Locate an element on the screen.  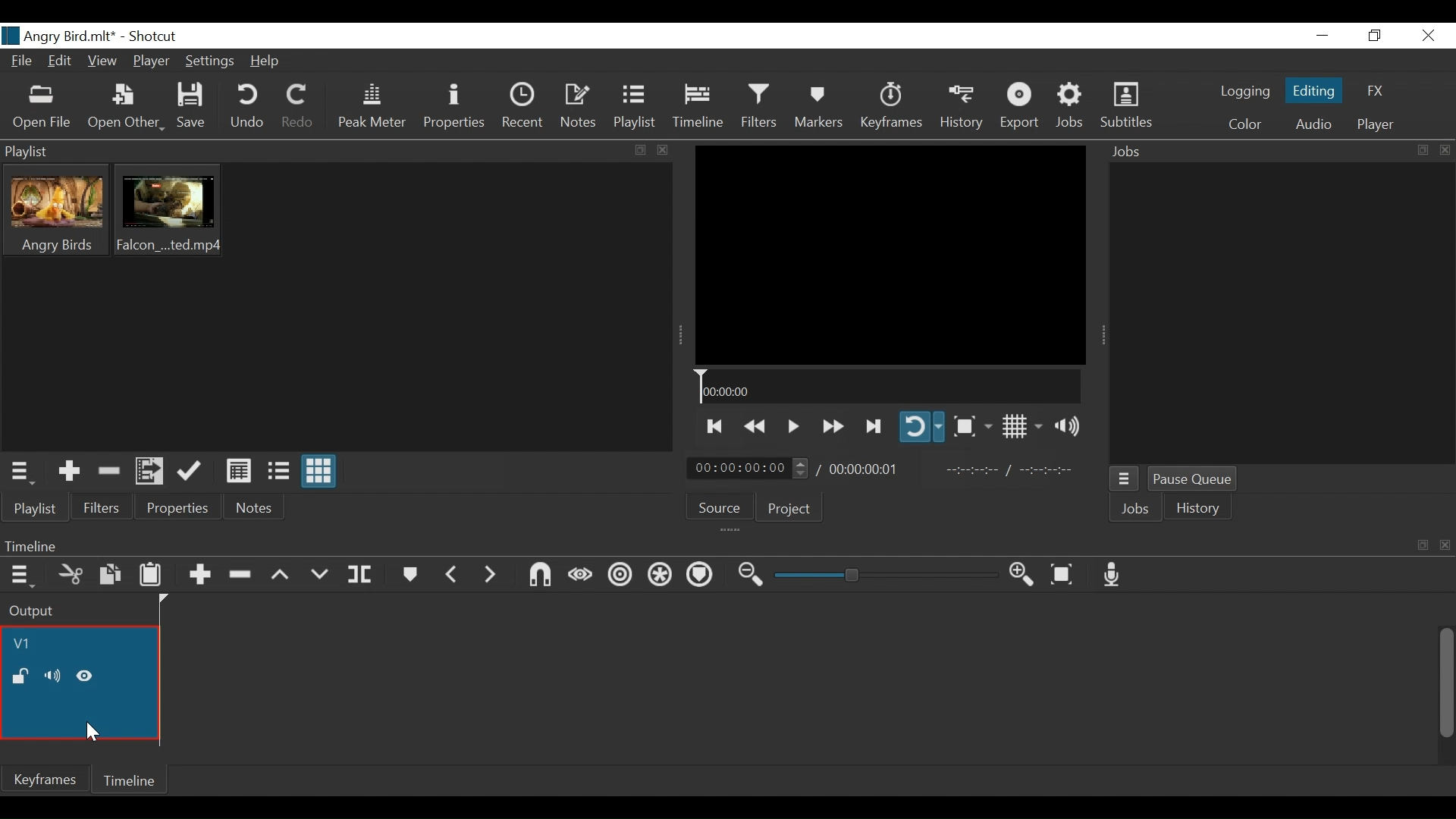
Append is located at coordinates (201, 575).